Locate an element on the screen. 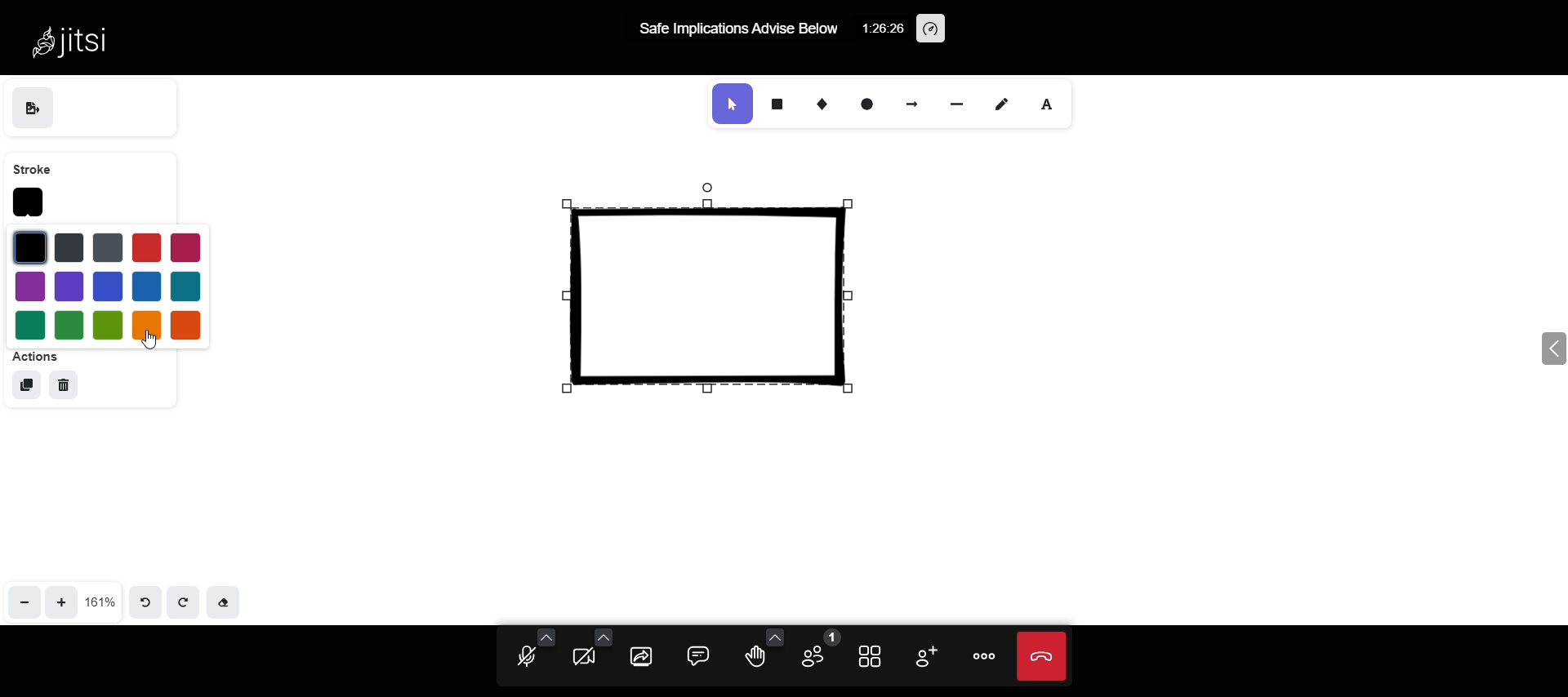  save as image is located at coordinates (30, 107).